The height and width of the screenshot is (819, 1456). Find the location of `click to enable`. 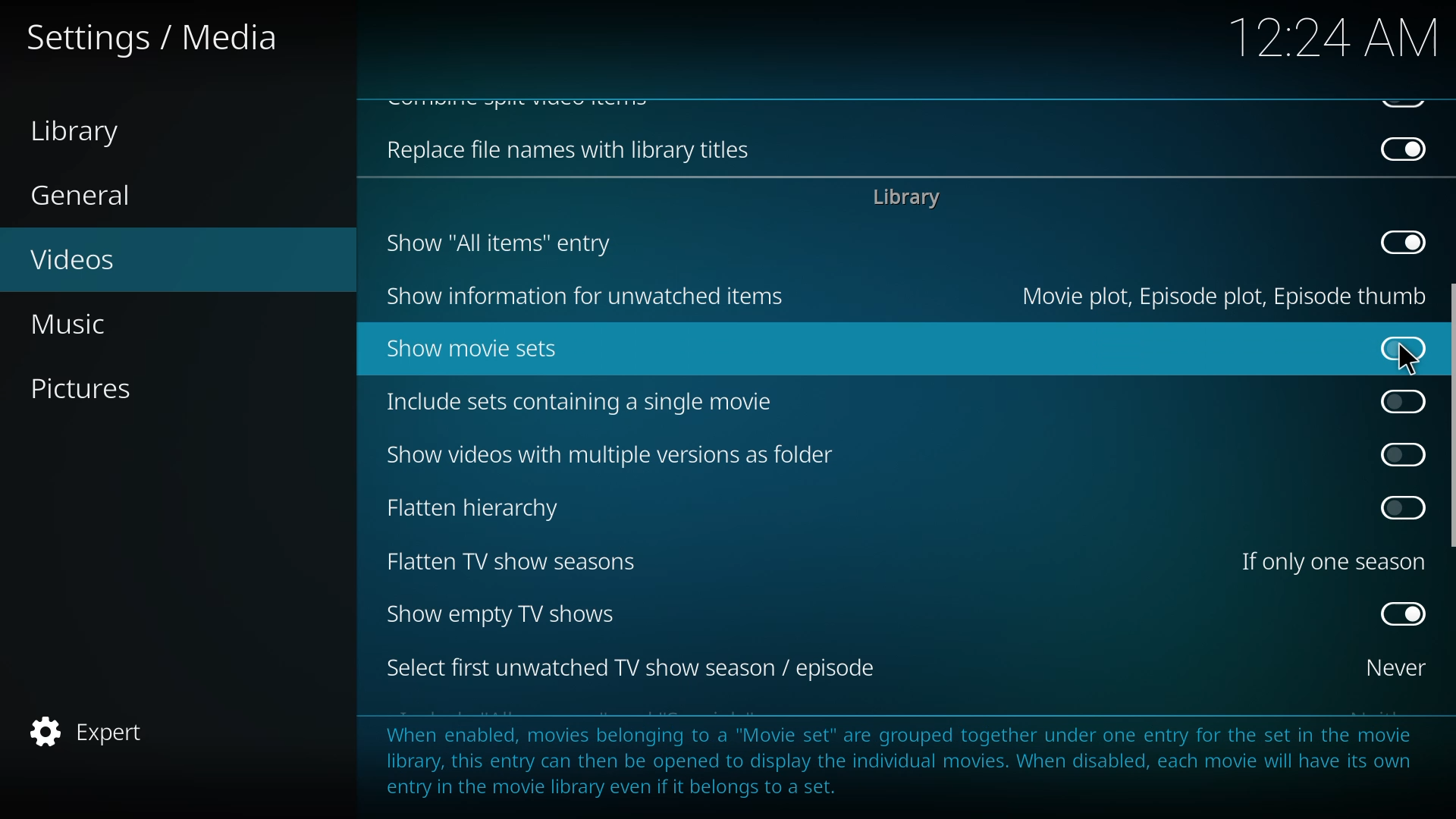

click to enable is located at coordinates (1399, 507).